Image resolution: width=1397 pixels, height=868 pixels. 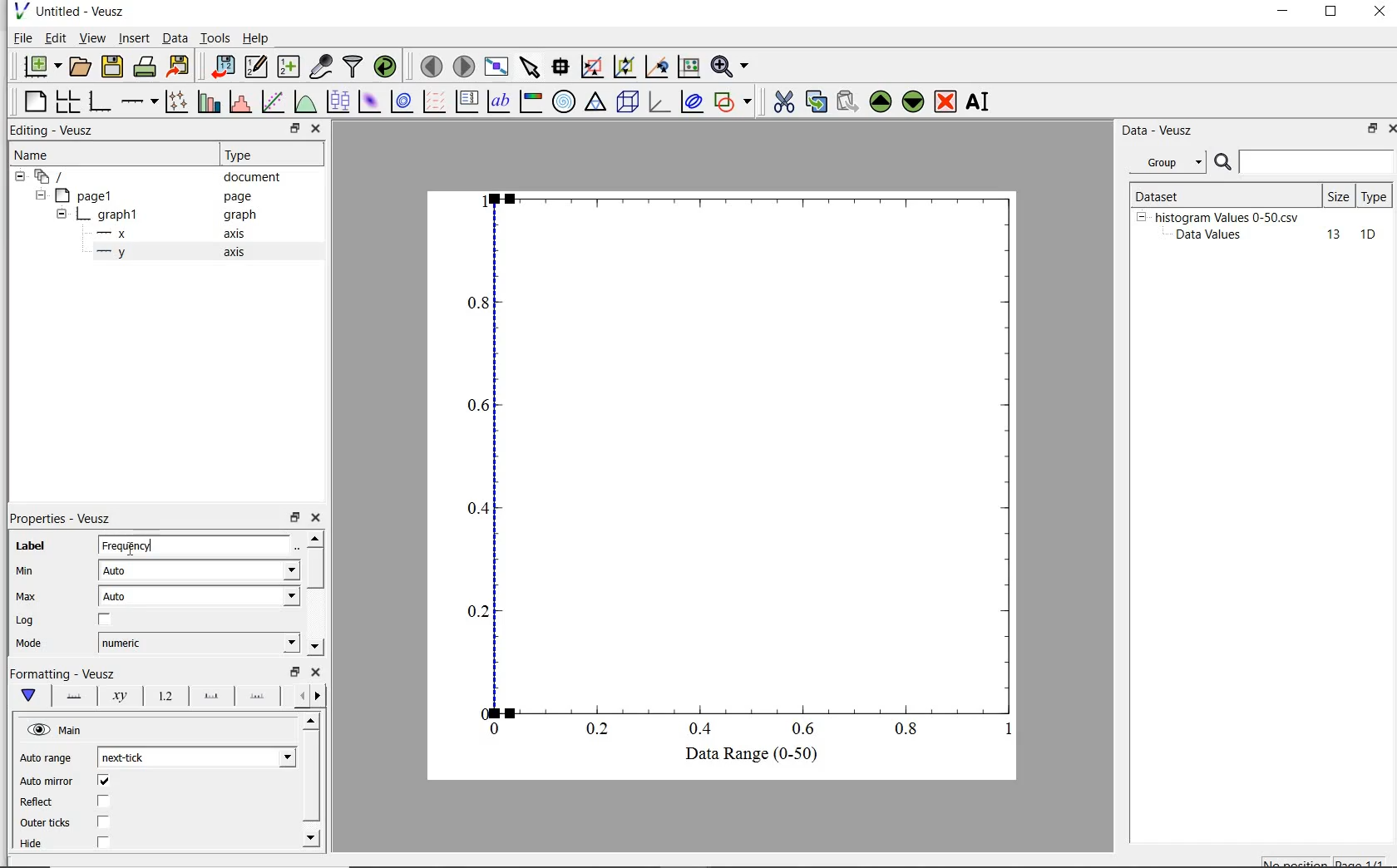 I want to click on previous options, so click(x=299, y=696).